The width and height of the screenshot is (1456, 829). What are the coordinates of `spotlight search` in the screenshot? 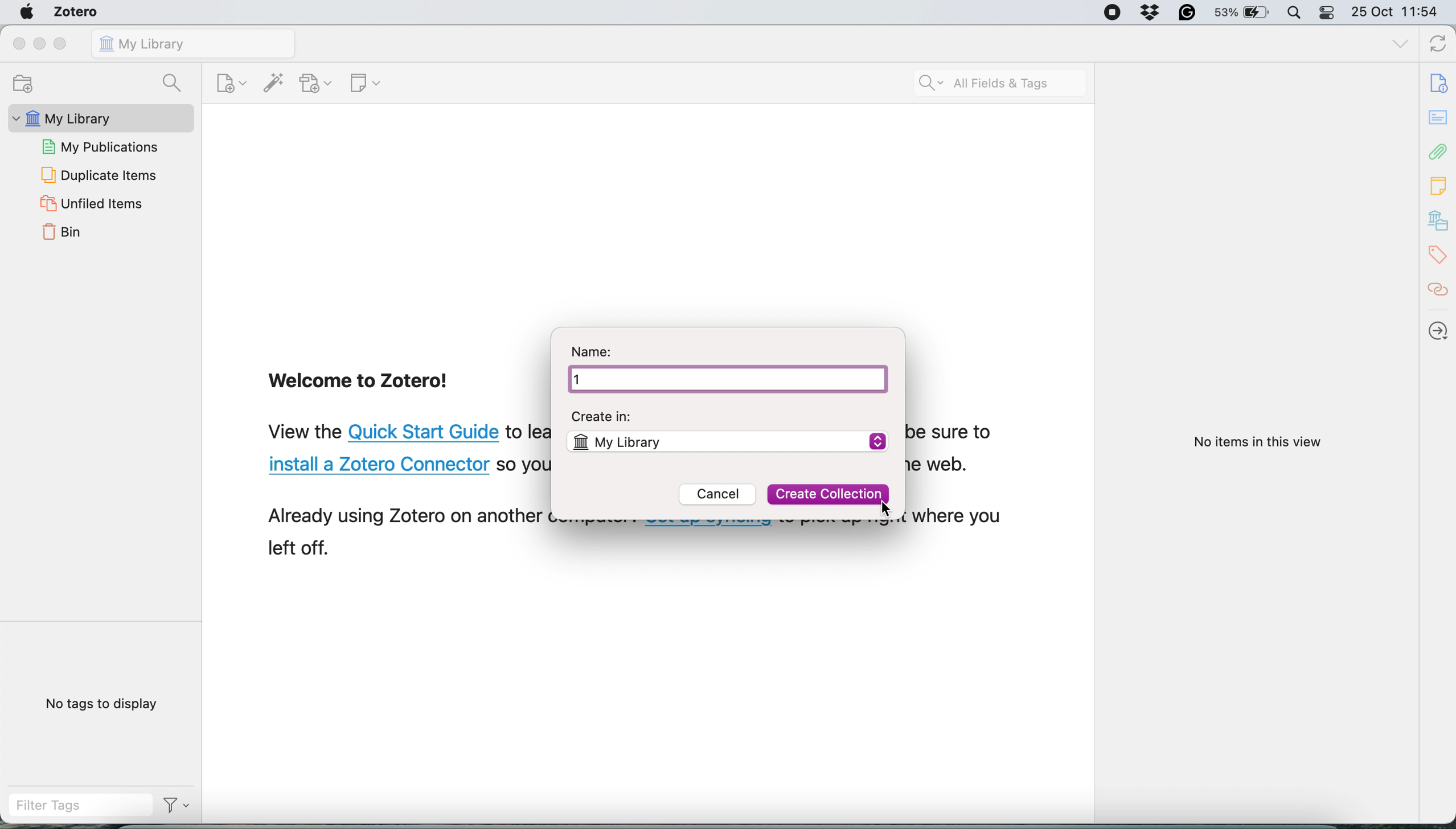 It's located at (1297, 11).